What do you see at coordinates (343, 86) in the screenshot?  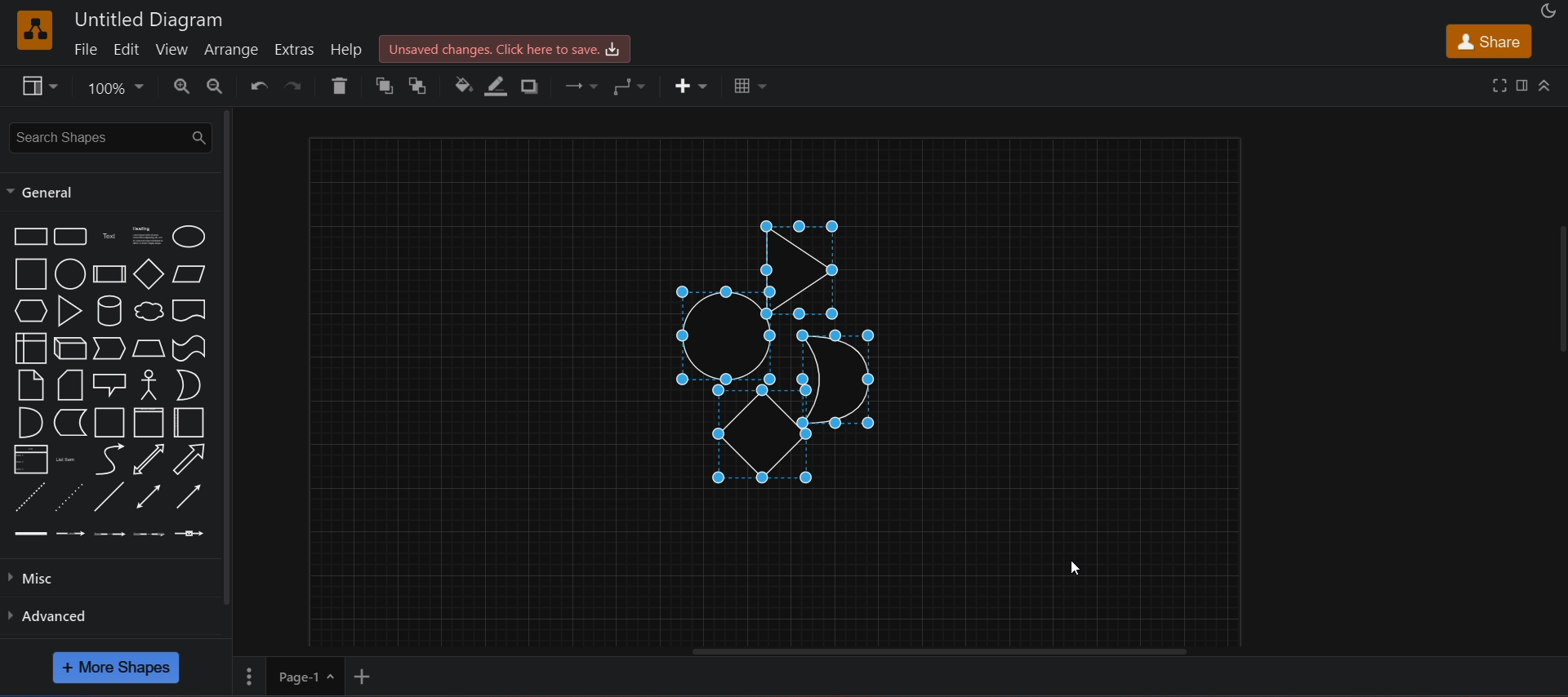 I see `delete` at bounding box center [343, 86].